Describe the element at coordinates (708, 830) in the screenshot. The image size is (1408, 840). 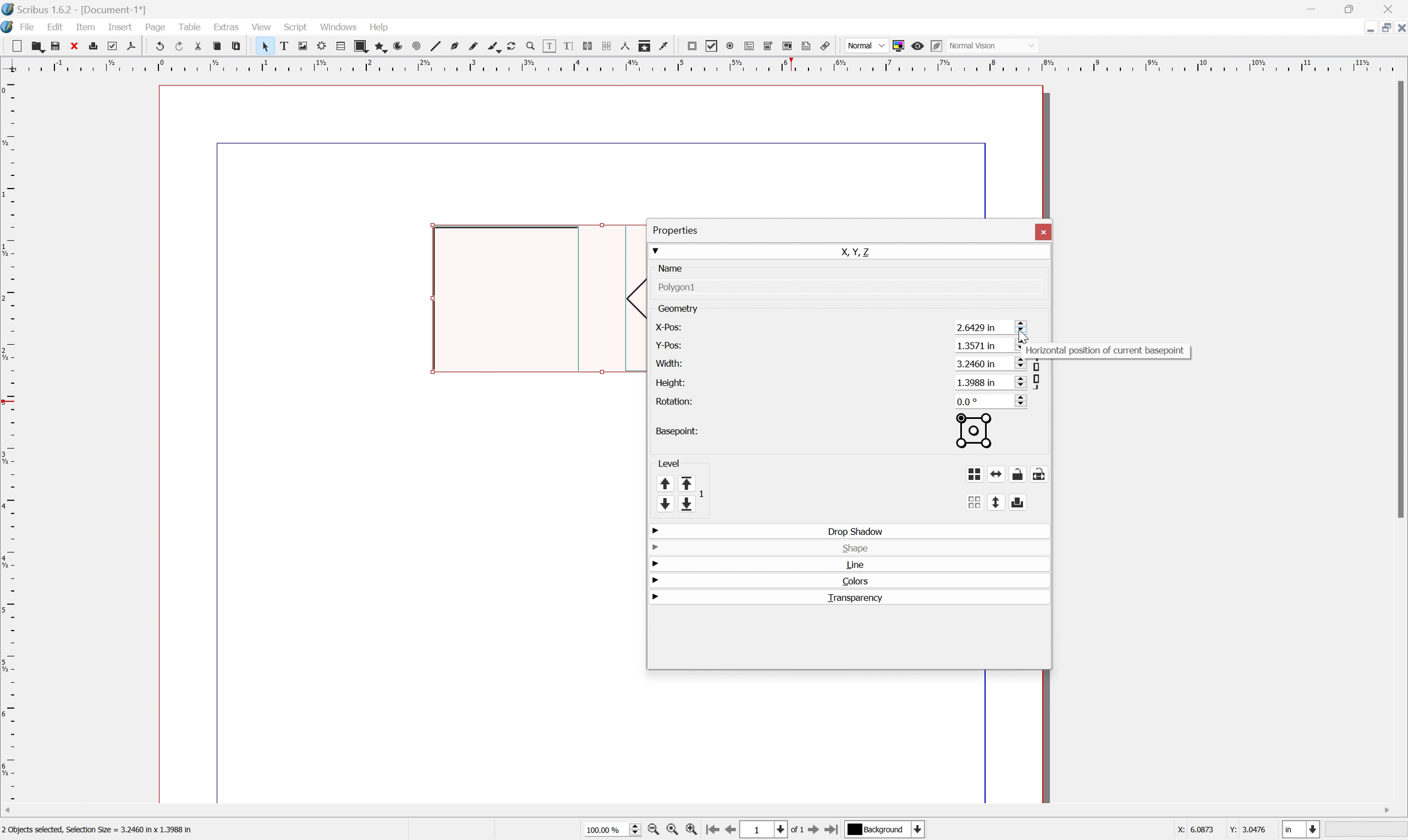
I see `Go to first page` at that location.